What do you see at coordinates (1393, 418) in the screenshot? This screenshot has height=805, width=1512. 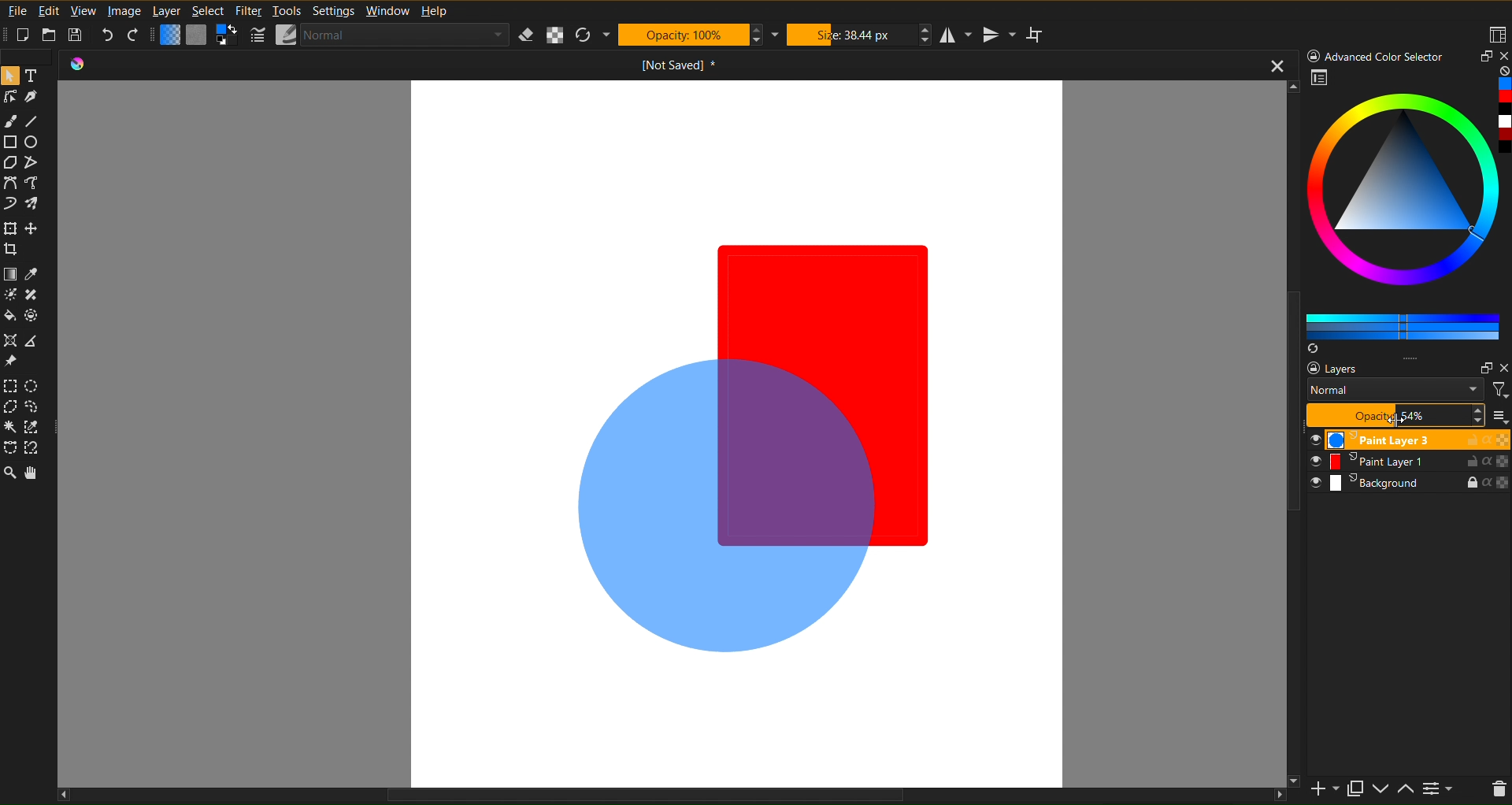 I see `cursor` at bounding box center [1393, 418].